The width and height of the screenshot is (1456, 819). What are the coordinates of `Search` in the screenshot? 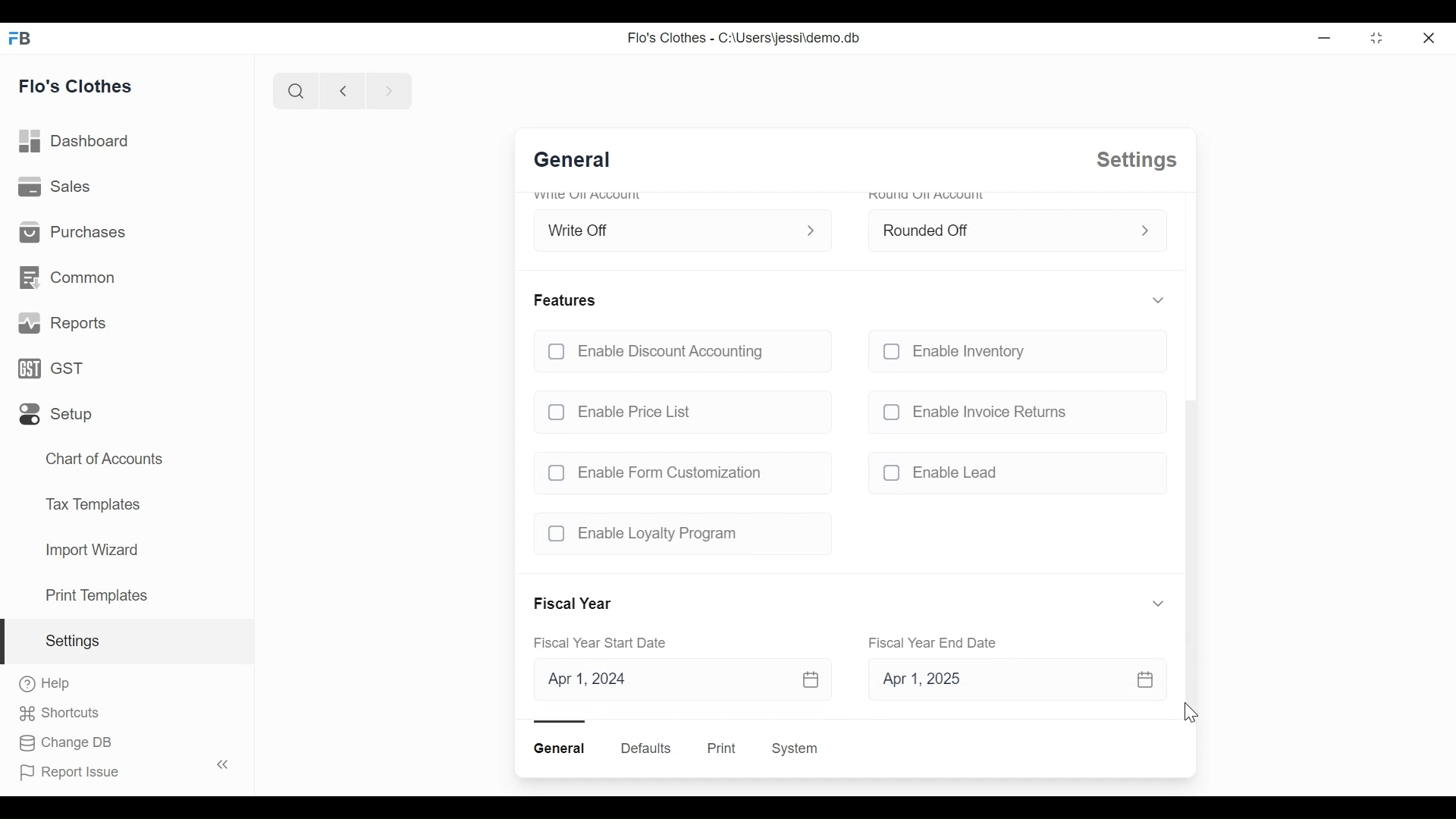 It's located at (293, 91).